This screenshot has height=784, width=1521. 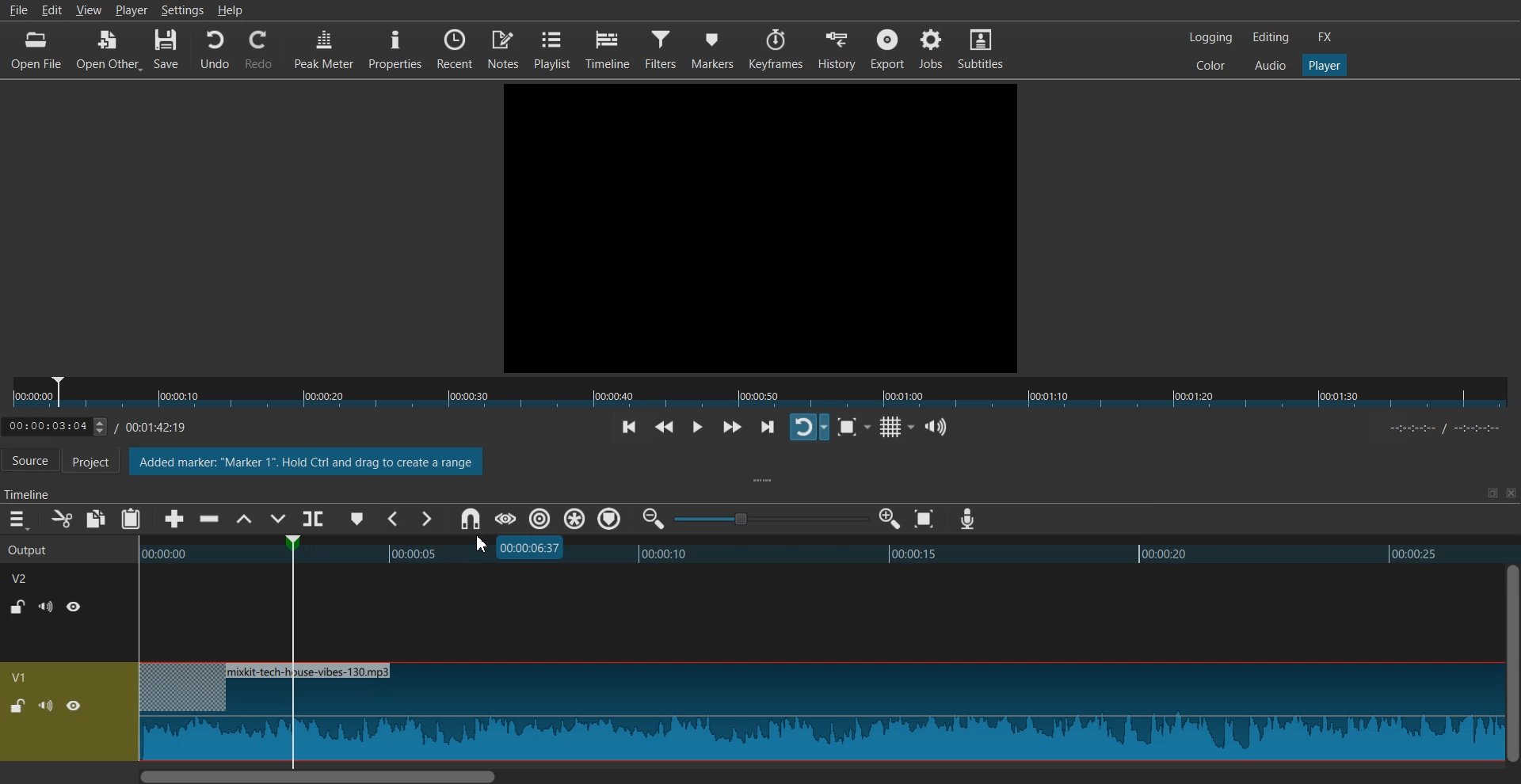 I want to click on Next Marker, so click(x=425, y=519).